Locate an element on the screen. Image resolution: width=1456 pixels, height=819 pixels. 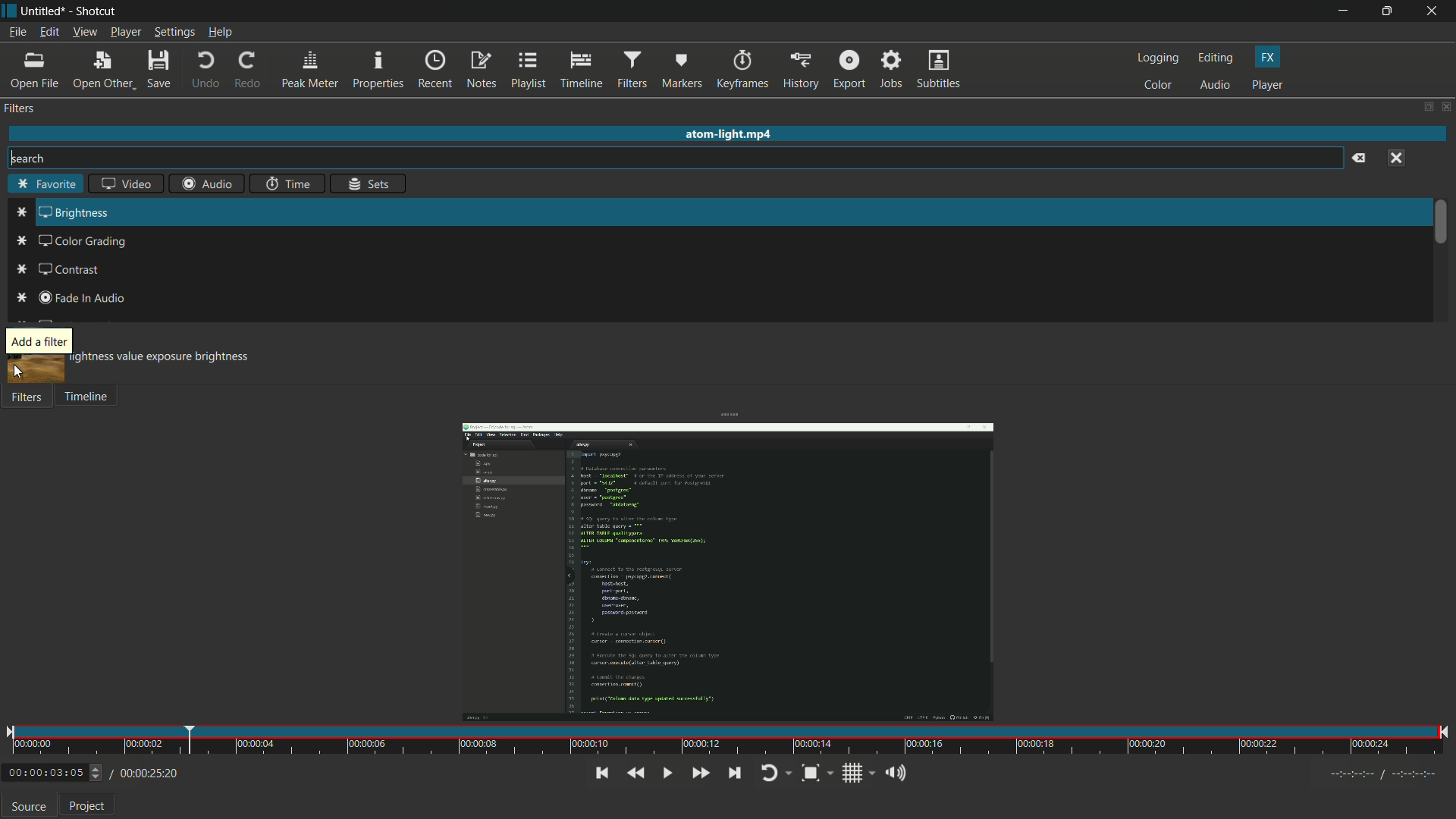
player is located at coordinates (1269, 85).